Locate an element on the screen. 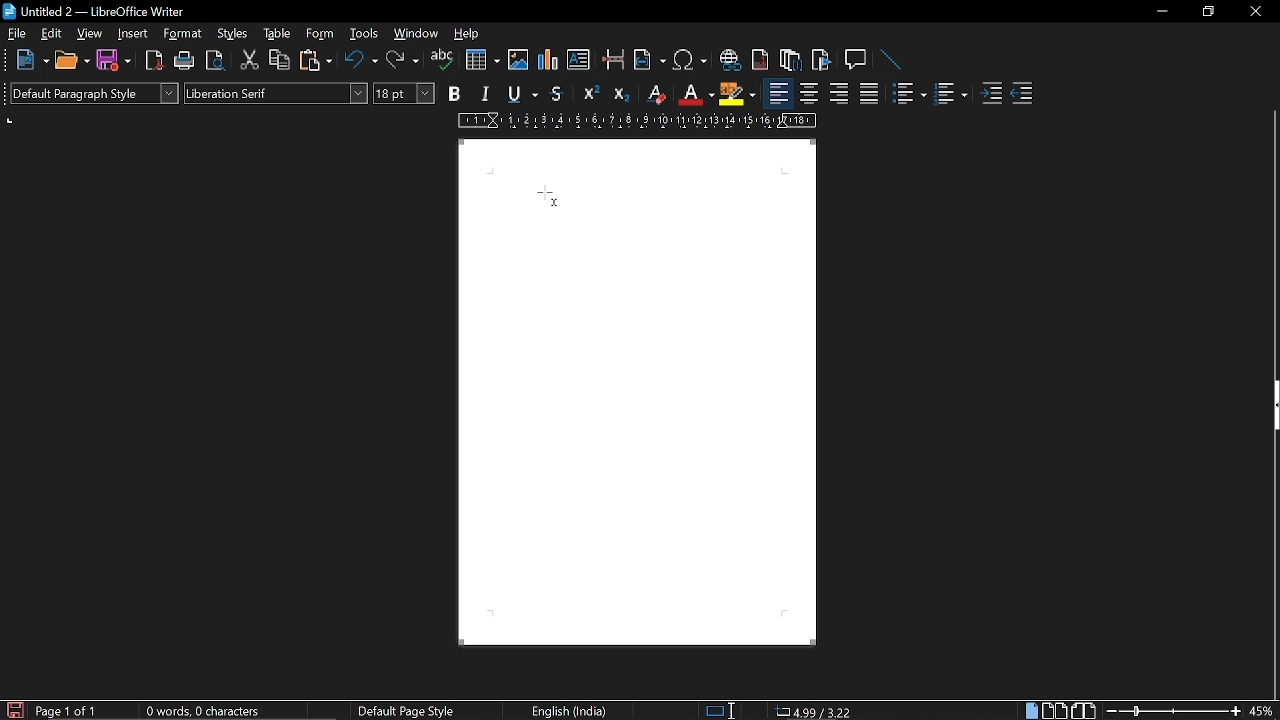 This screenshot has height=720, width=1280. highlight is located at coordinates (737, 93).